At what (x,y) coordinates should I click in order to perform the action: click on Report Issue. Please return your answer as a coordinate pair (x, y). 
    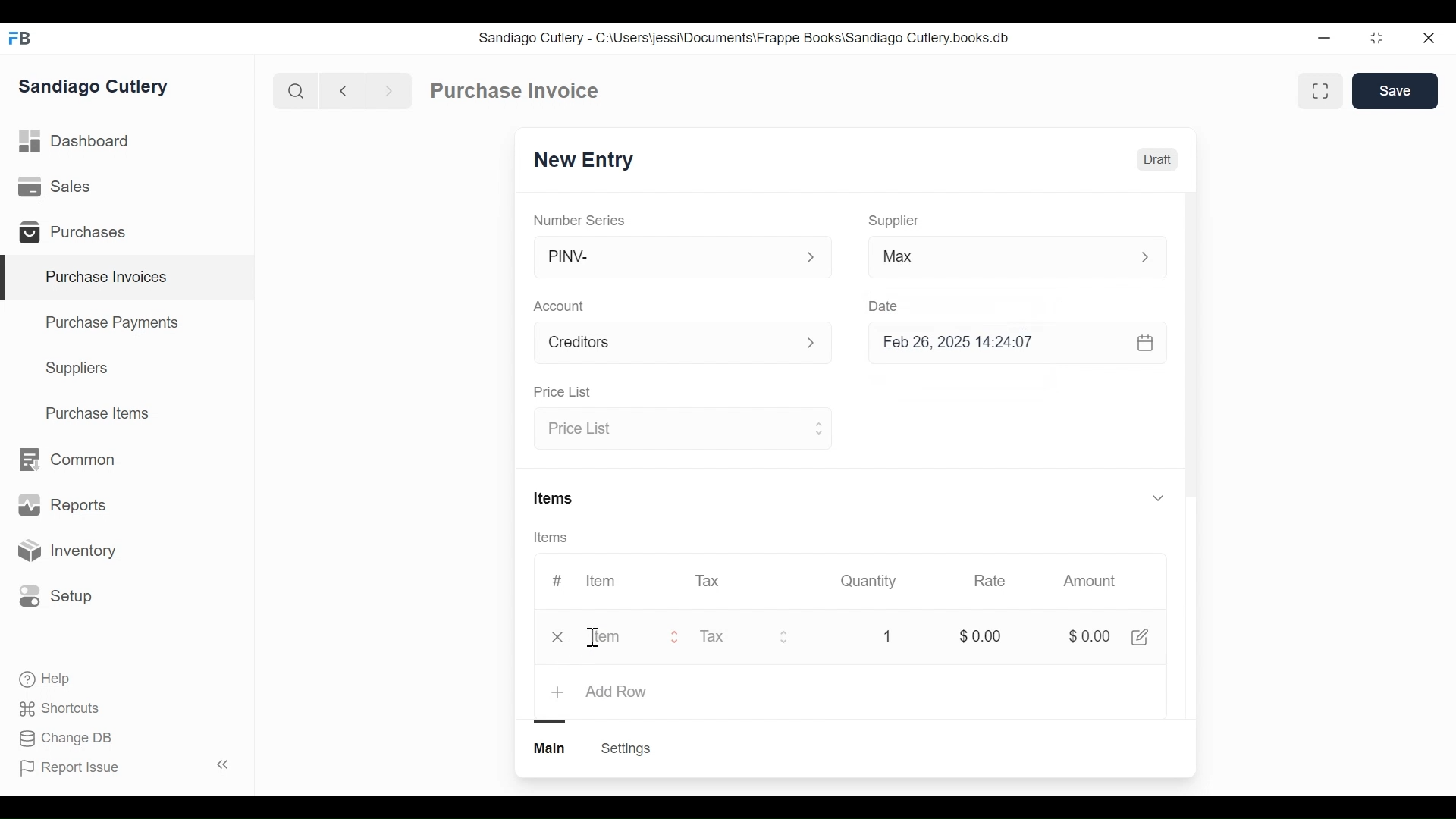
    Looking at the image, I should click on (124, 767).